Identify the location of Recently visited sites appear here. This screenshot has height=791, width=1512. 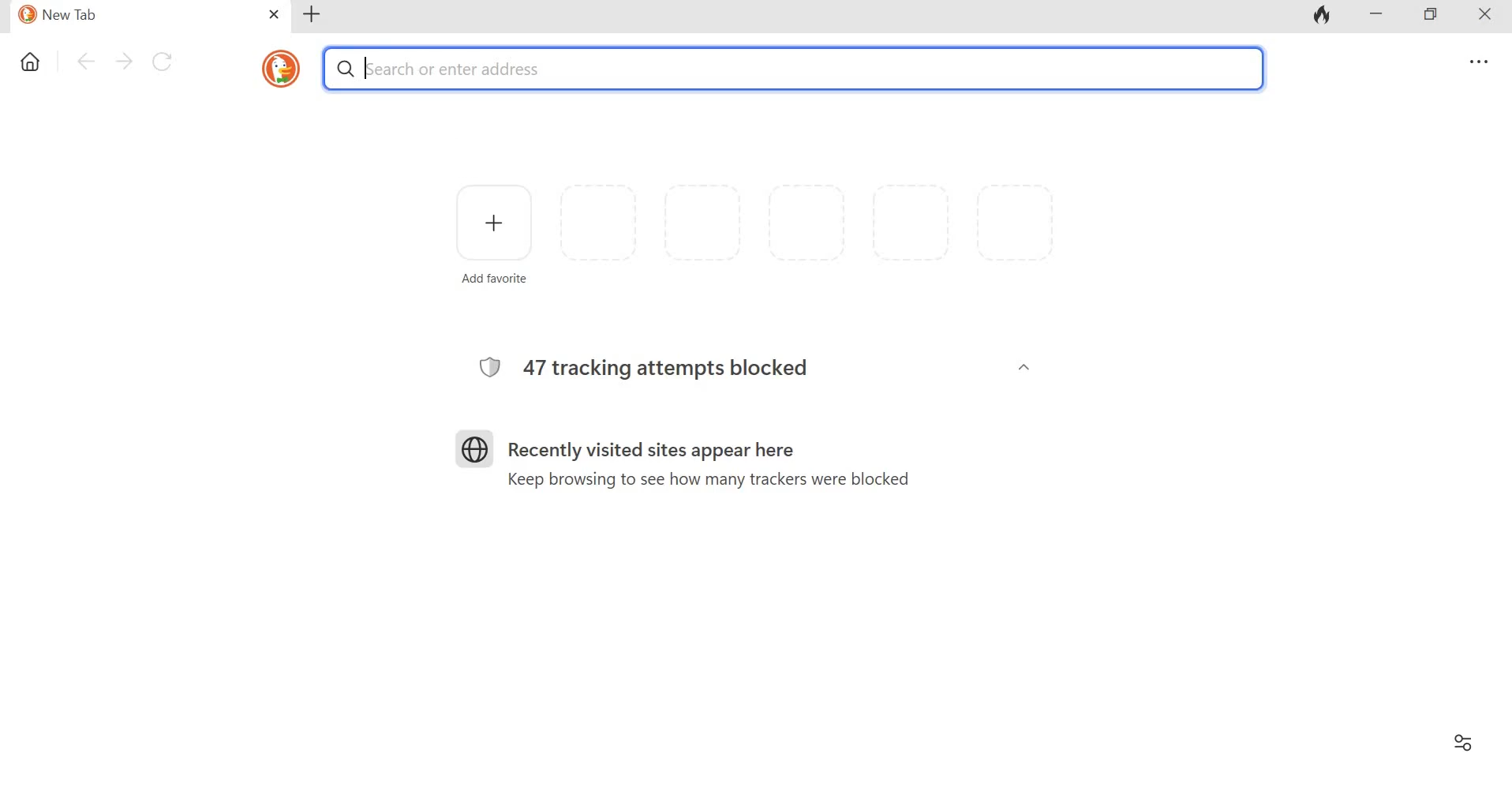
(651, 451).